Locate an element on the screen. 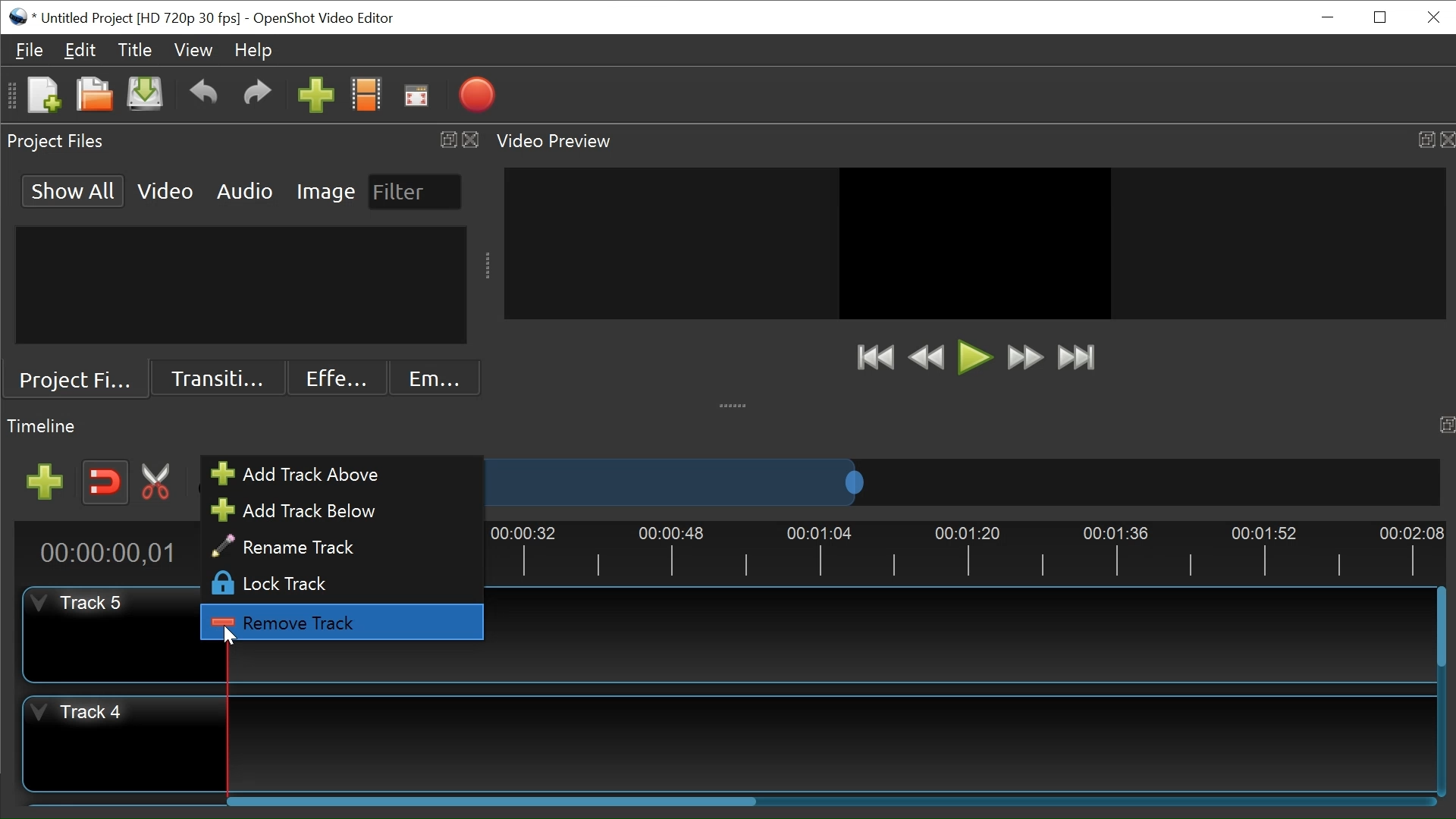 Image resolution: width=1456 pixels, height=819 pixels. Play is located at coordinates (973, 359).